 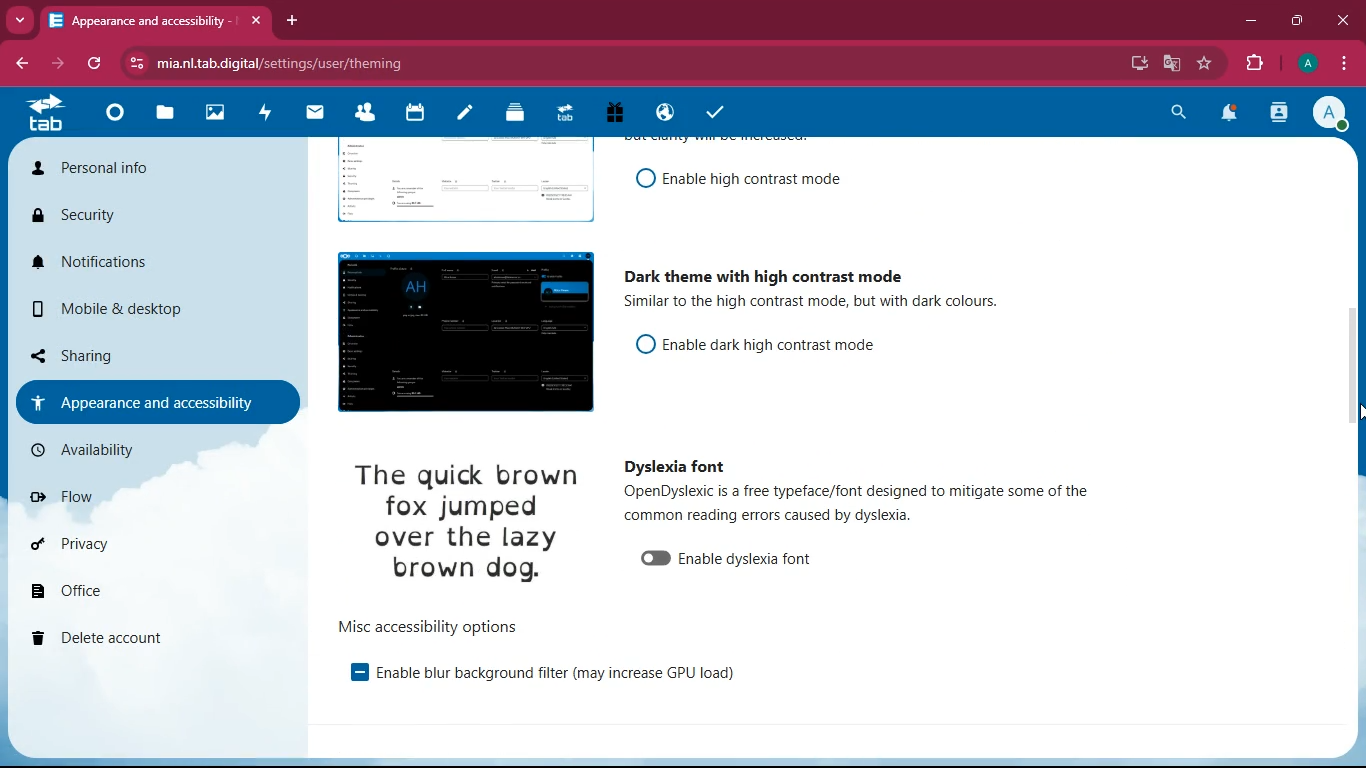 What do you see at coordinates (1170, 63) in the screenshot?
I see `google translate` at bounding box center [1170, 63].